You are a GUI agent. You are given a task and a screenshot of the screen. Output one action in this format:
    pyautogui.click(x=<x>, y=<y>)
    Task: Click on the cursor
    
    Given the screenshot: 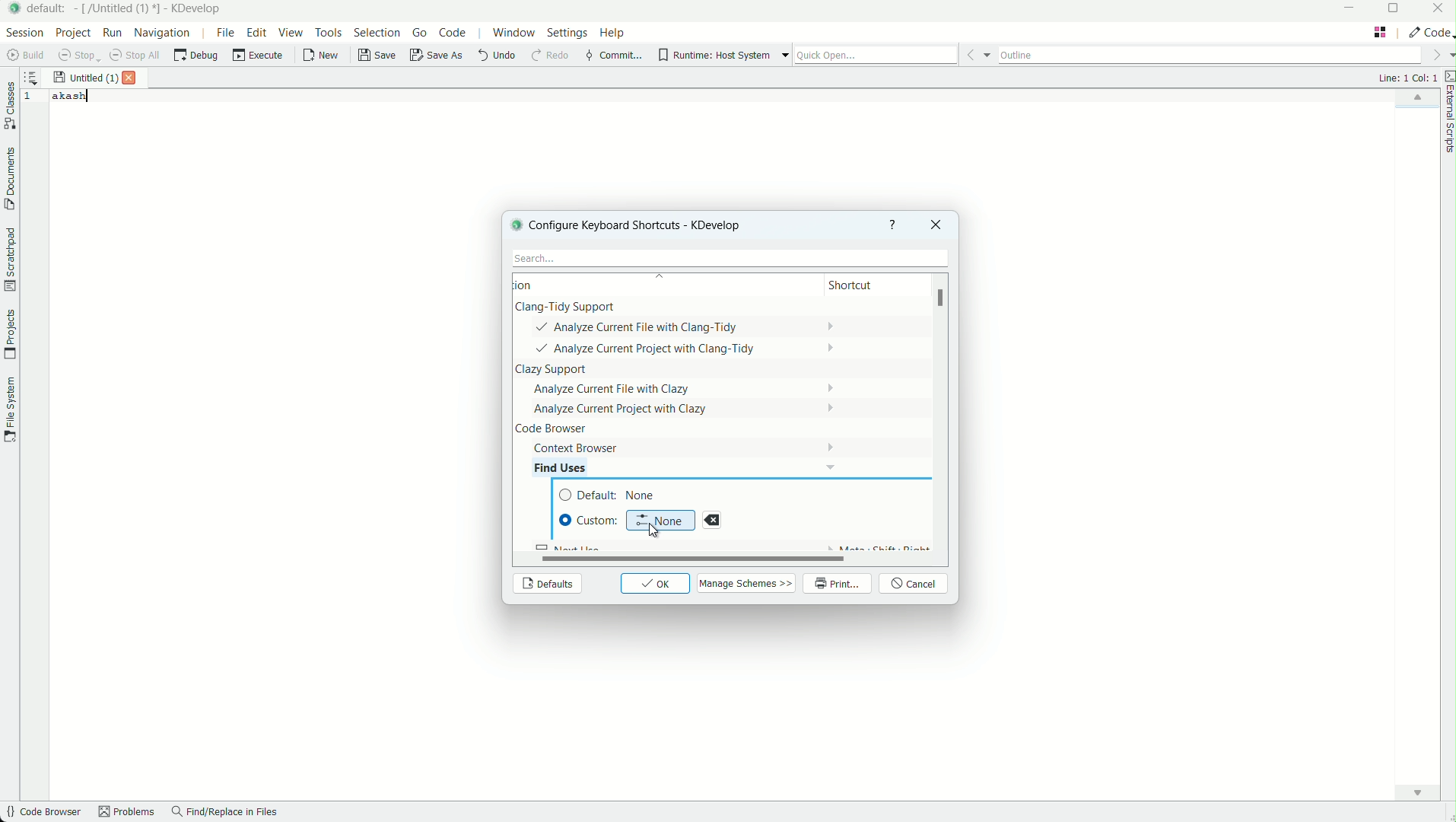 What is the action you would take?
    pyautogui.click(x=652, y=530)
    